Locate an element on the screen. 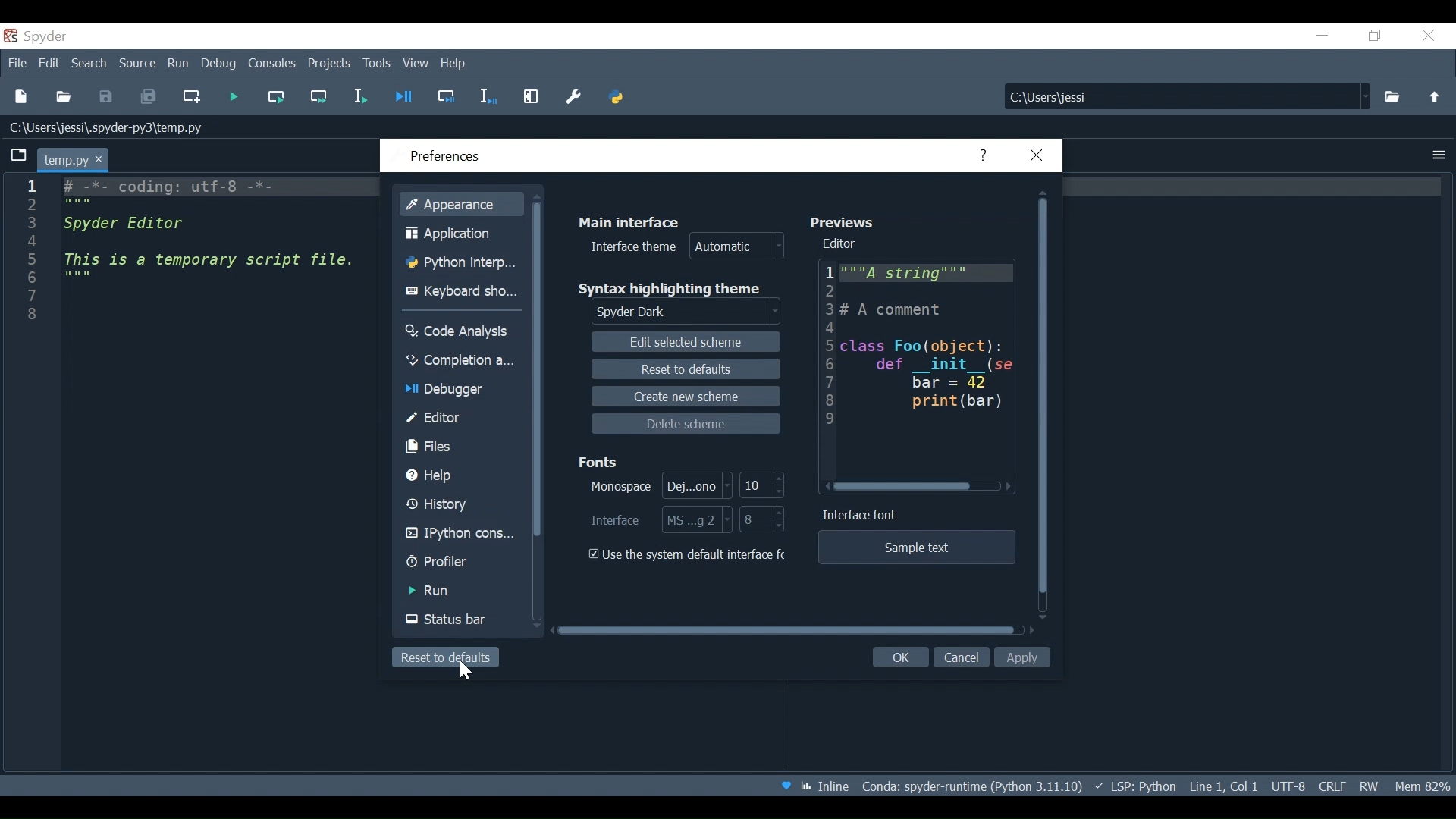 The image size is (1456, 819). Editor is located at coordinates (841, 244).